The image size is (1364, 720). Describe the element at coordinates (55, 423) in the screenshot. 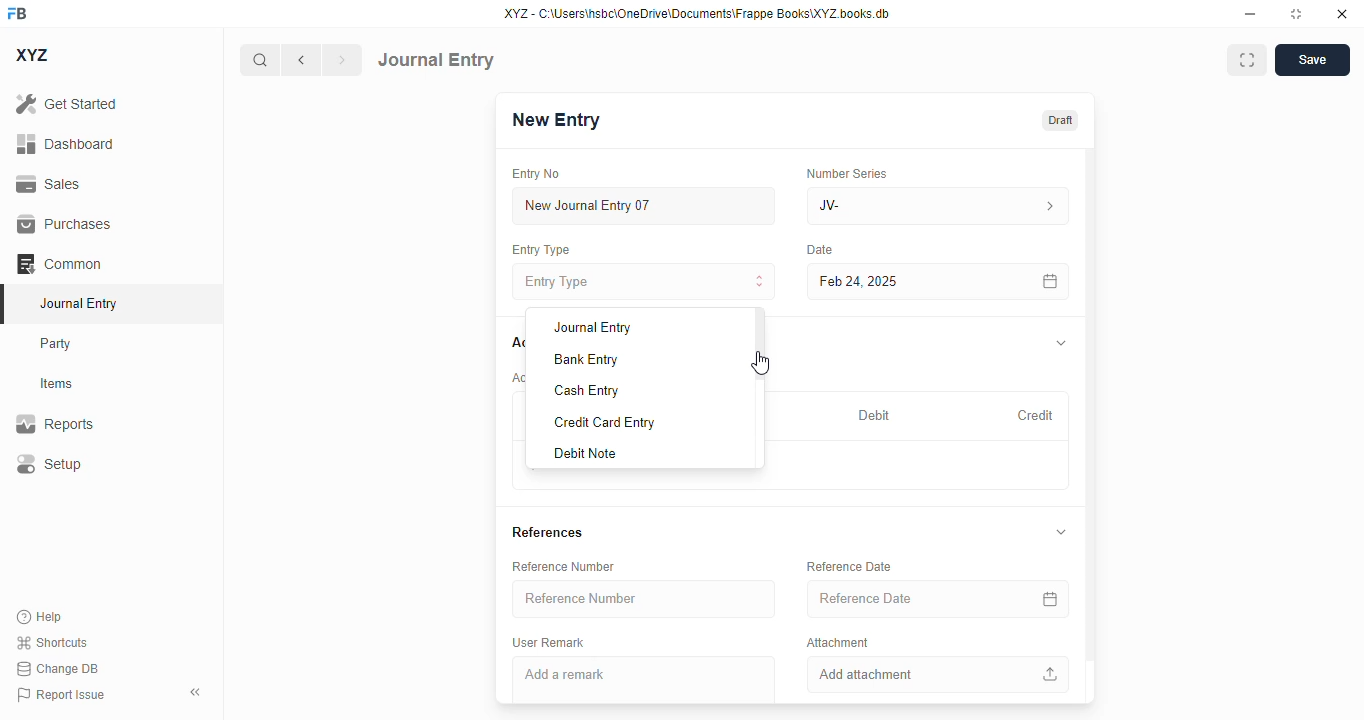

I see `reports` at that location.